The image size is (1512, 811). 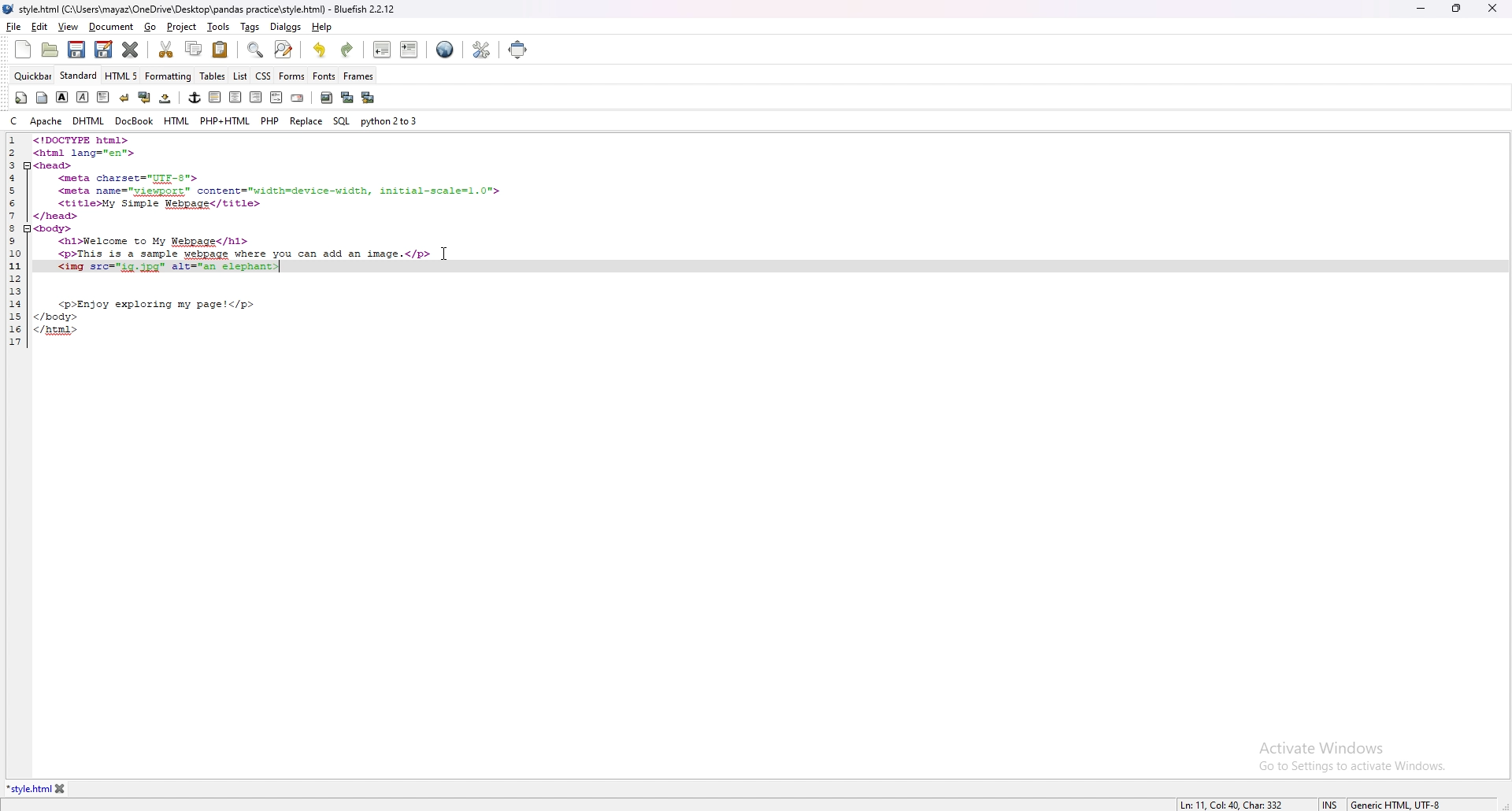 What do you see at coordinates (39, 27) in the screenshot?
I see `edit` at bounding box center [39, 27].